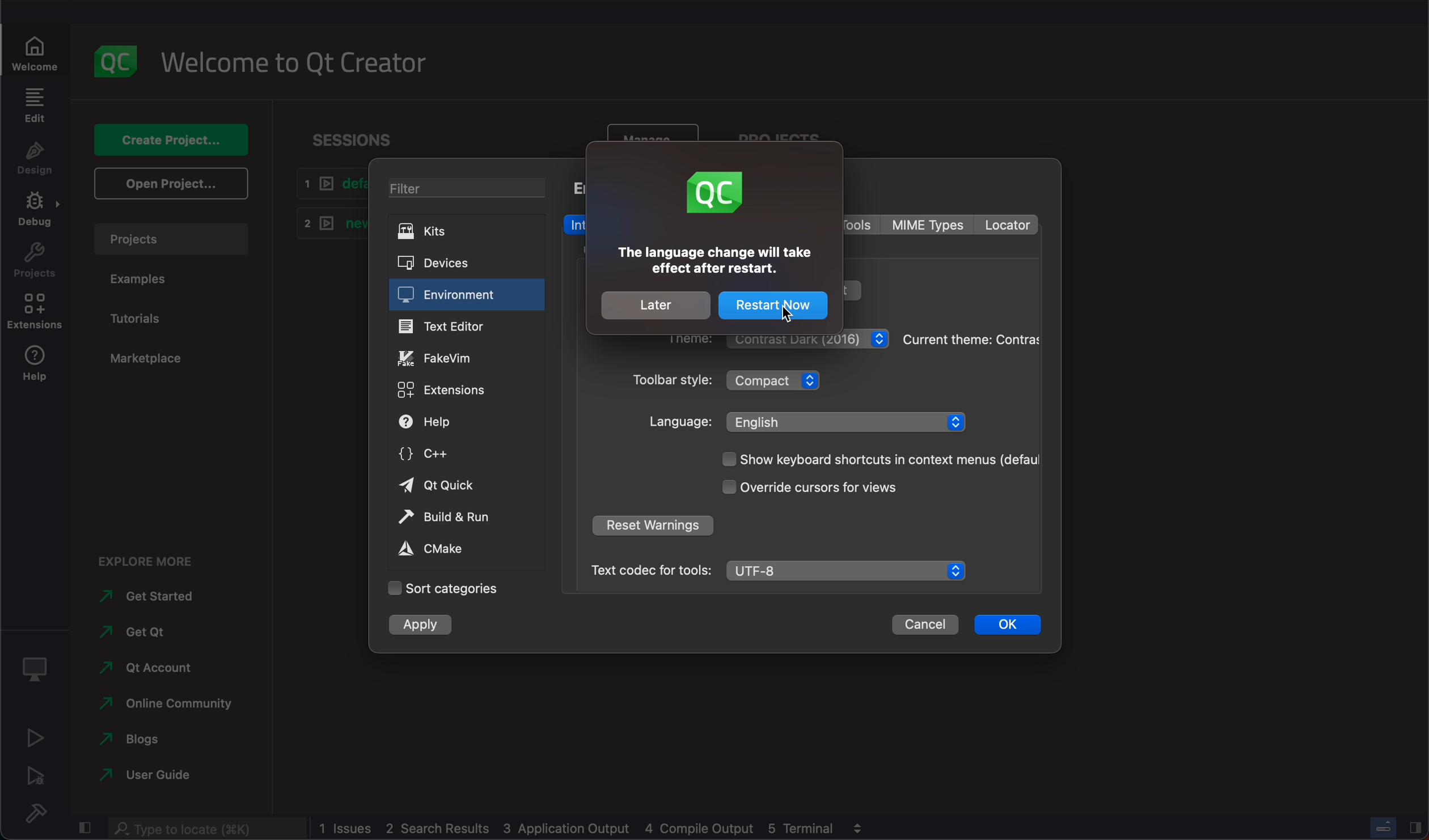 Image resolution: width=1429 pixels, height=840 pixels. Describe the element at coordinates (652, 525) in the screenshot. I see `reser` at that location.